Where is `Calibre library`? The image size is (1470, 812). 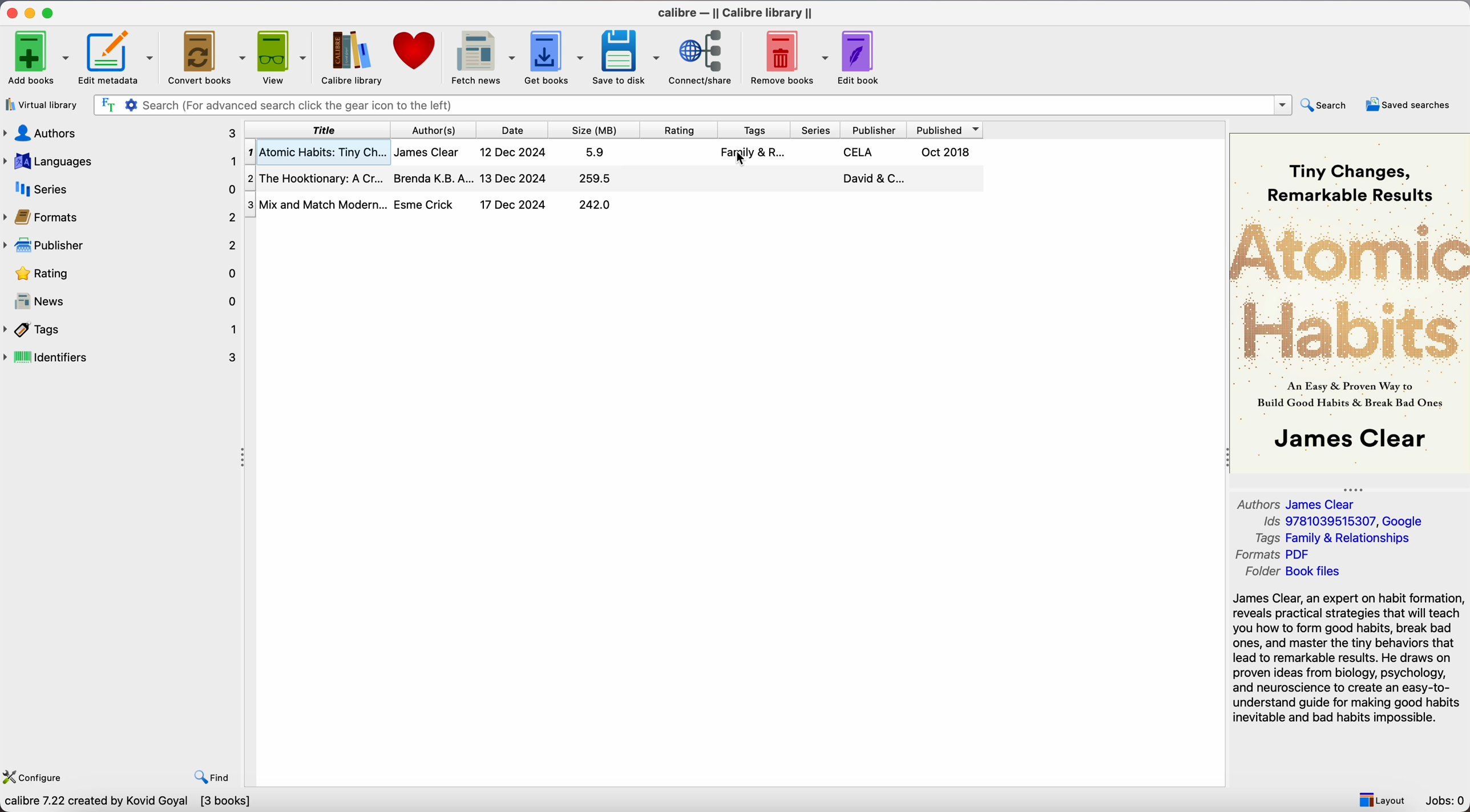
Calibre library is located at coordinates (350, 56).